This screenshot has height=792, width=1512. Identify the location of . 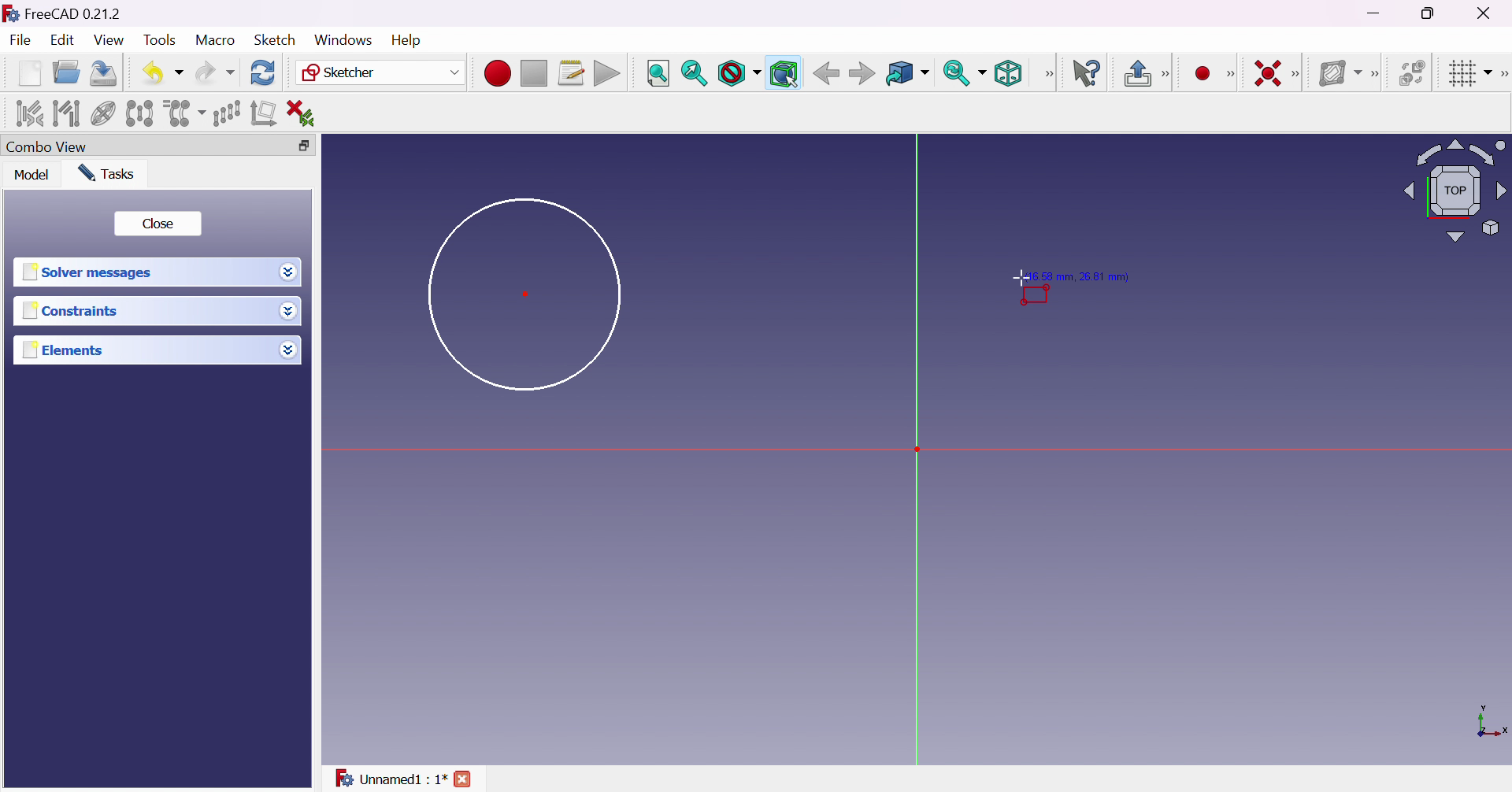
(965, 74).